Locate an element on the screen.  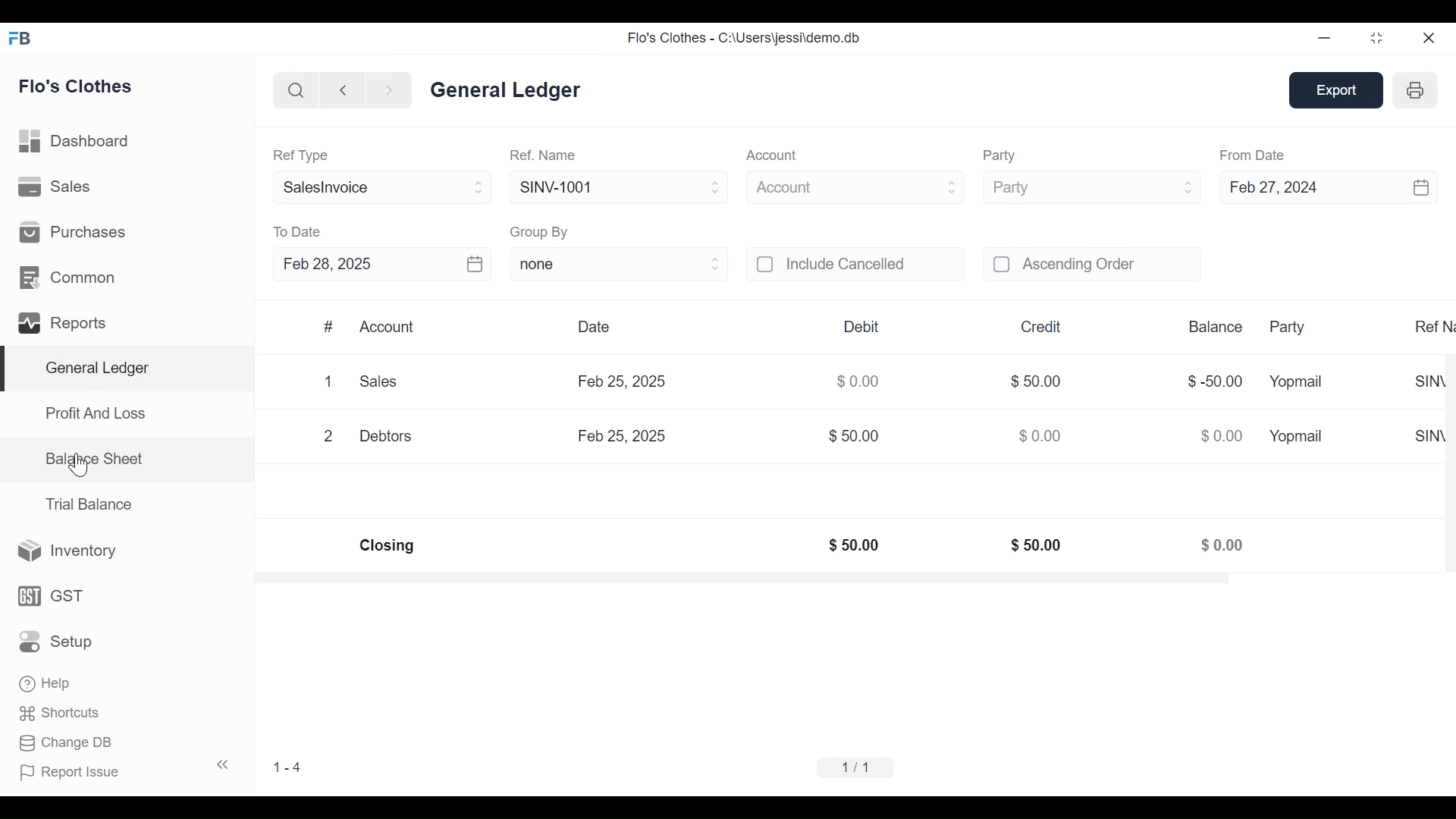
Account is located at coordinates (857, 186).